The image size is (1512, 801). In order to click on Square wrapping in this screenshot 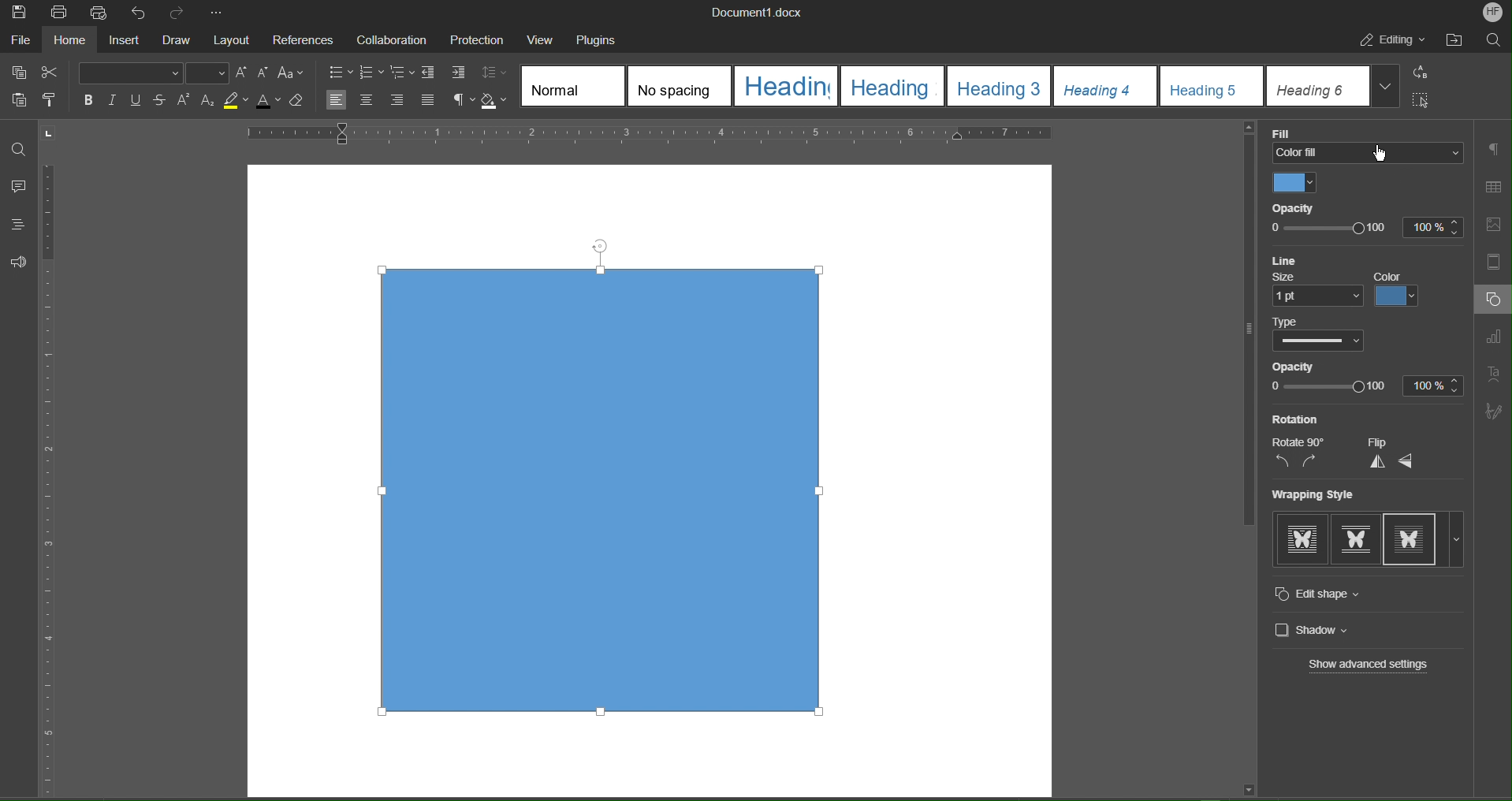, I will do `click(1356, 543)`.